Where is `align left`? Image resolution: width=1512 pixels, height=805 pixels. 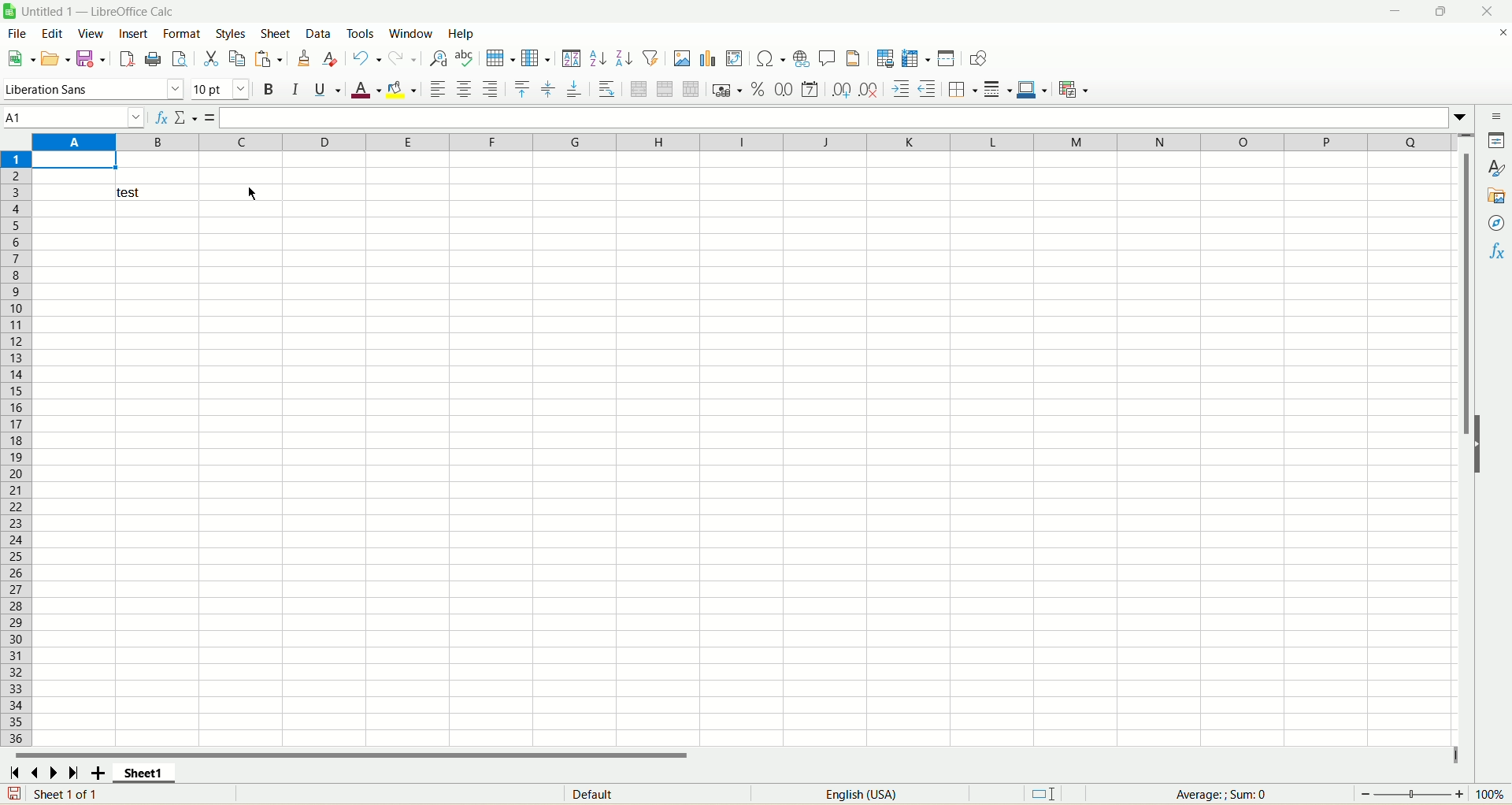 align left is located at coordinates (437, 89).